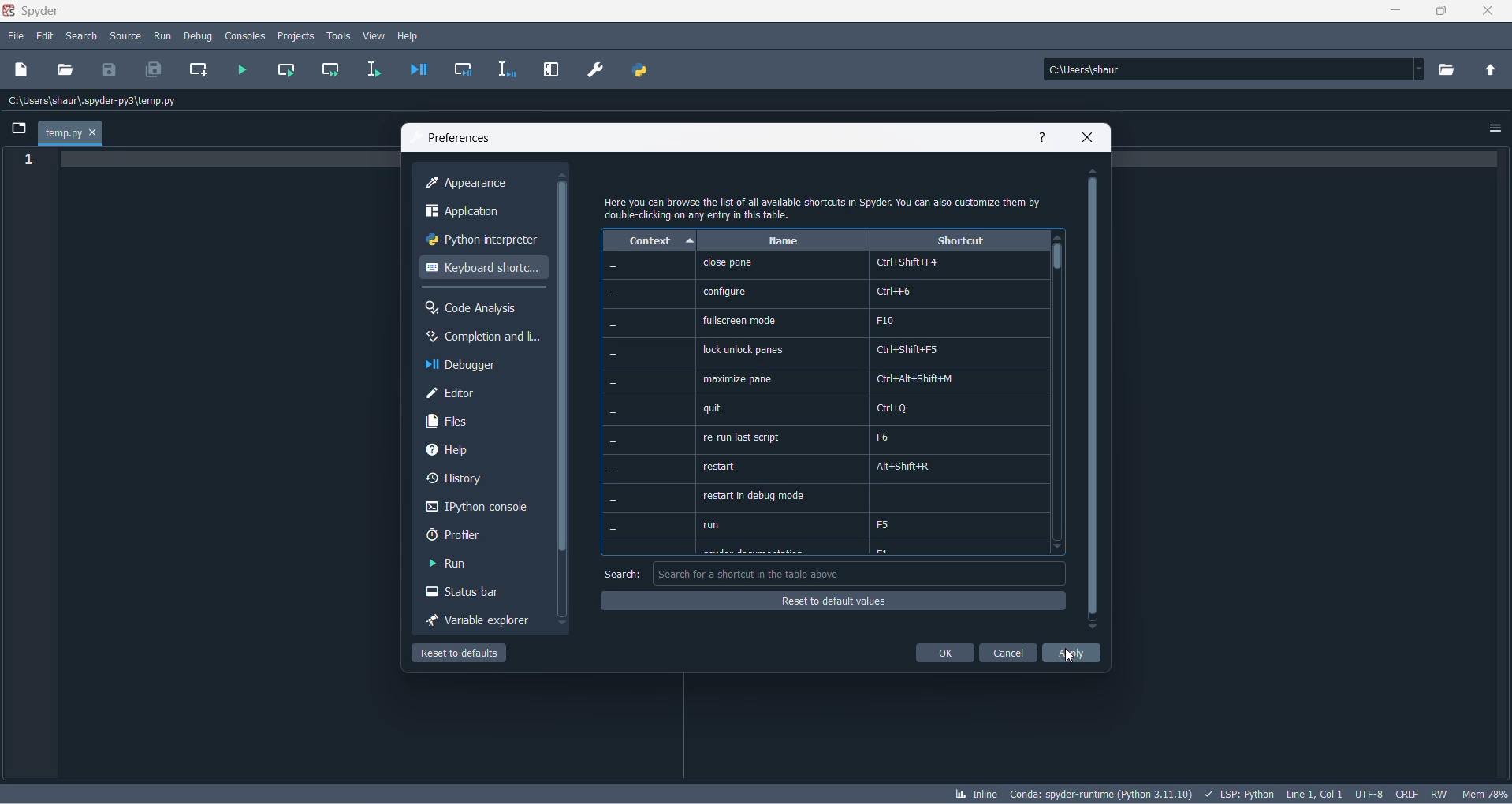 Image resolution: width=1512 pixels, height=804 pixels. I want to click on slider, so click(1057, 262).